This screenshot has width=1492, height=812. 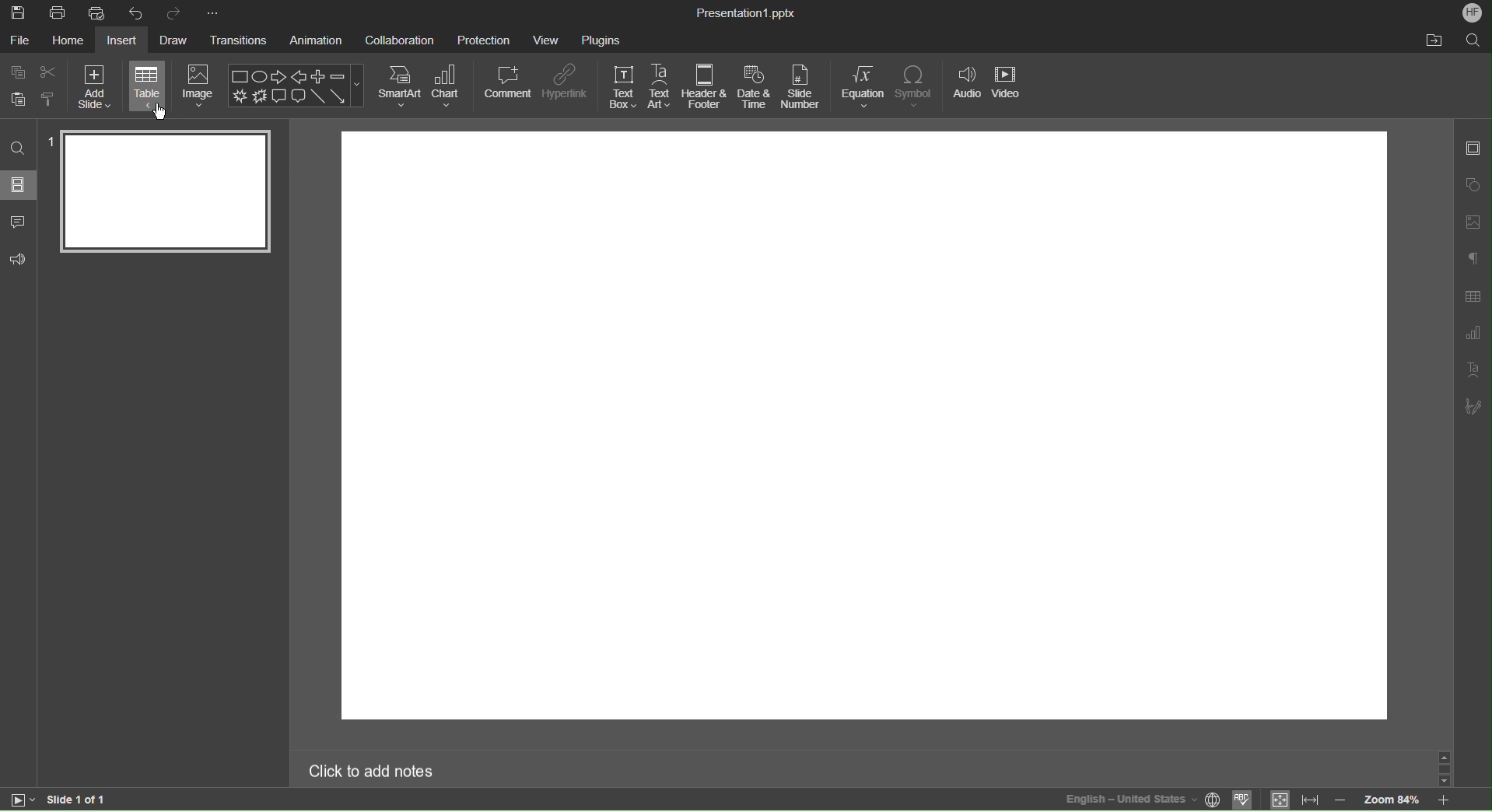 I want to click on Text Art, so click(x=660, y=86).